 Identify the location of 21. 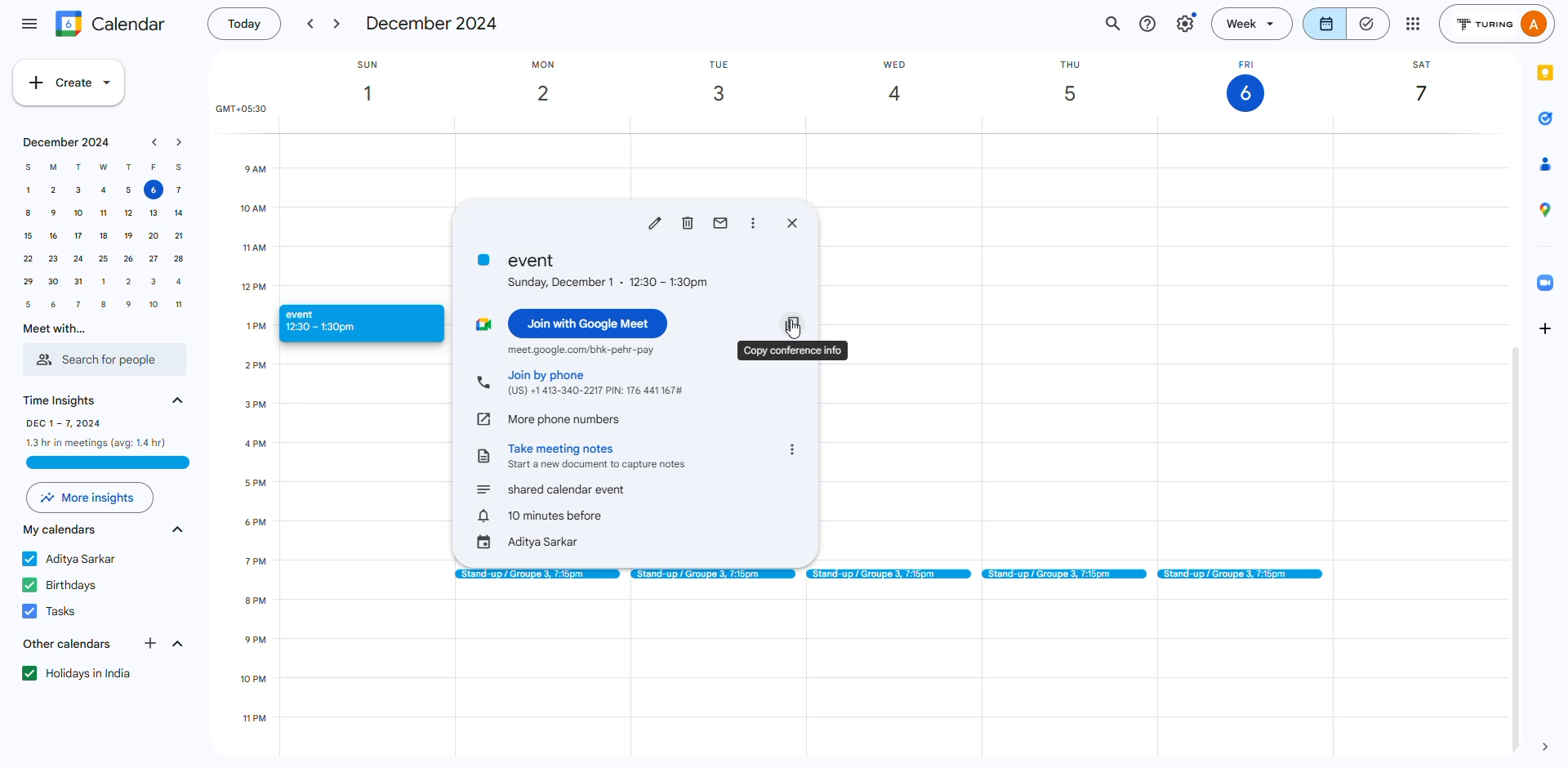
(79, 284).